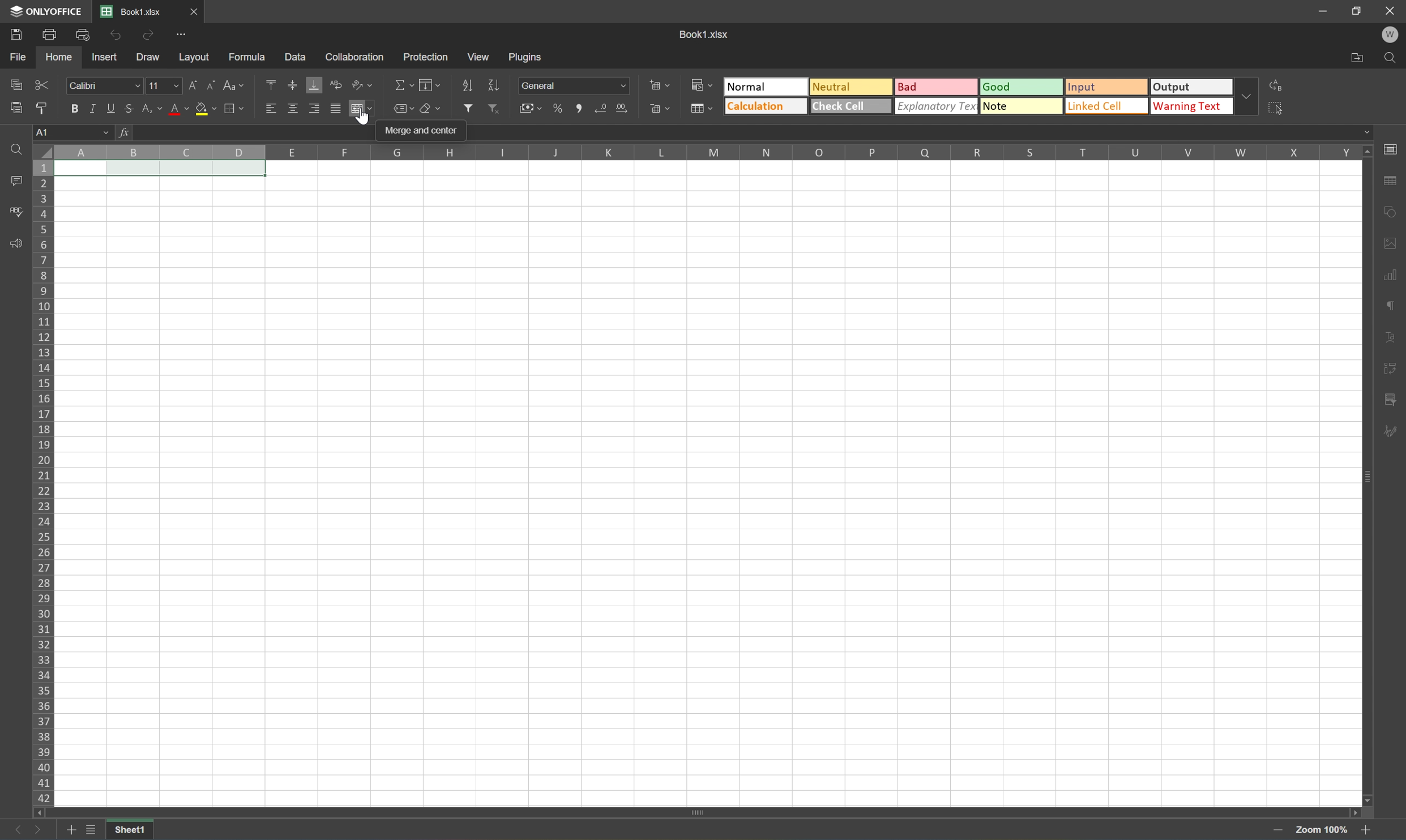 The width and height of the screenshot is (1406, 840). What do you see at coordinates (433, 107) in the screenshot?
I see `Clear` at bounding box center [433, 107].